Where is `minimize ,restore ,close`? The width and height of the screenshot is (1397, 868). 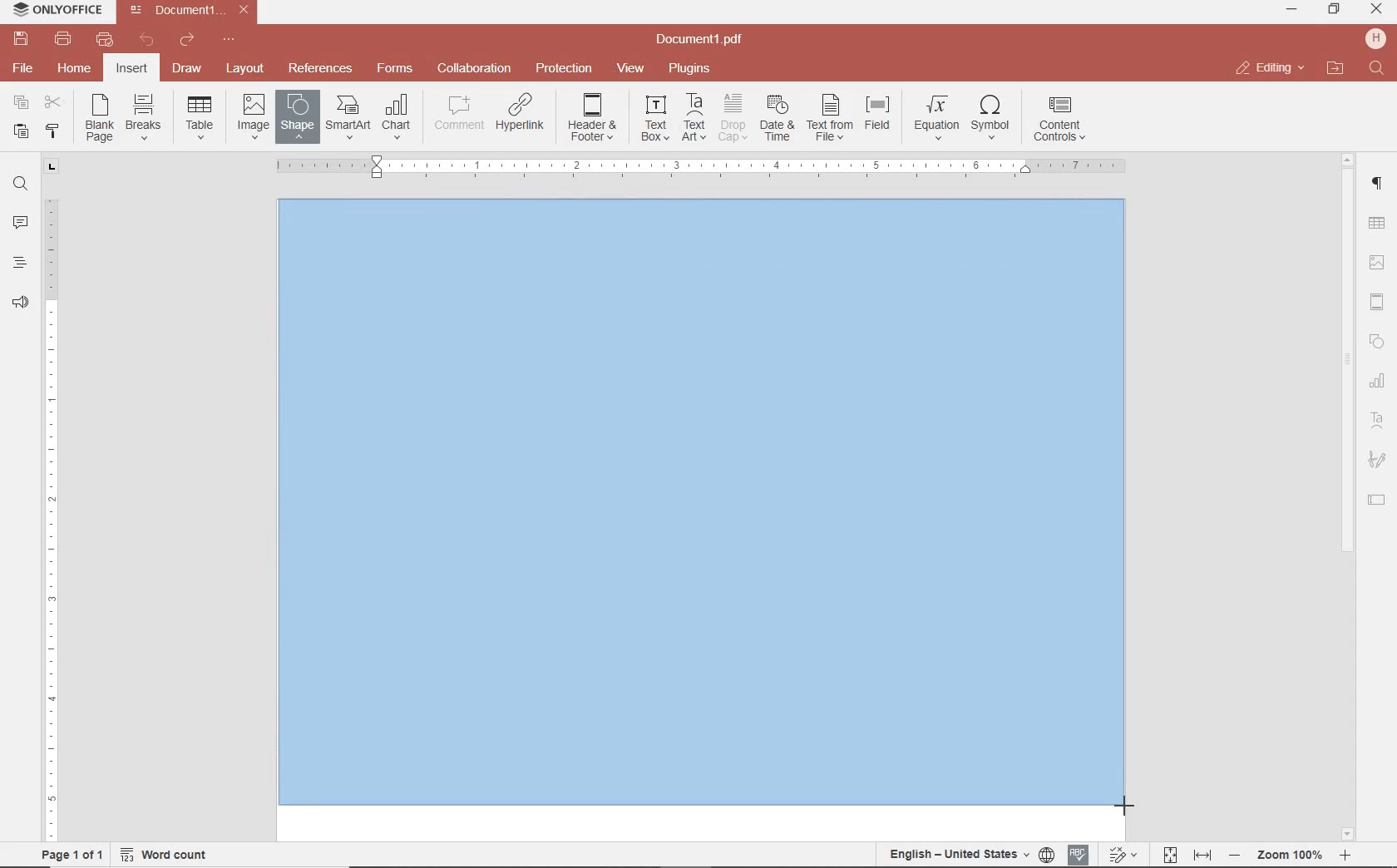
minimize ,restore ,close is located at coordinates (1380, 10).